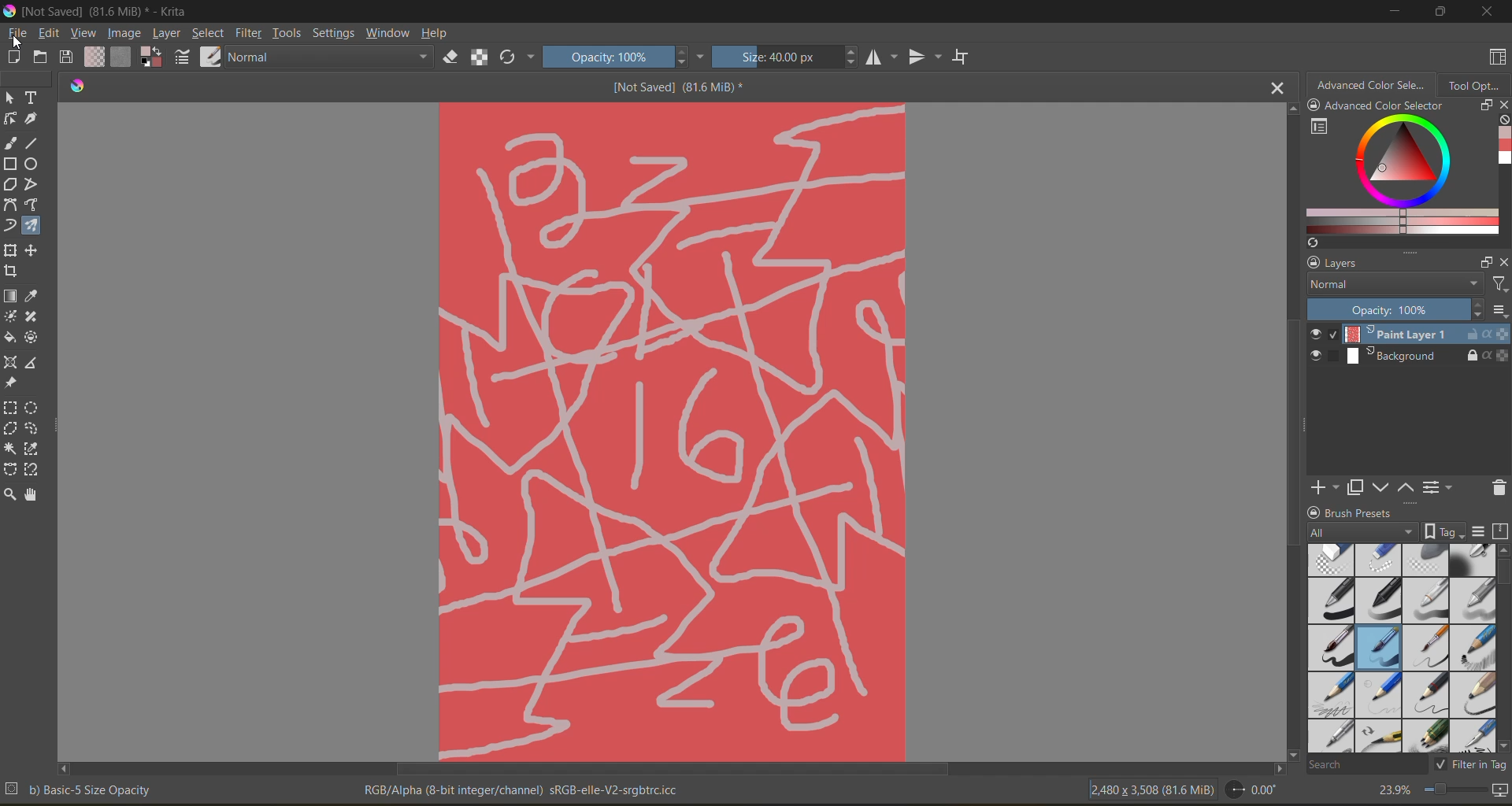 This screenshot has width=1512, height=806. Describe the element at coordinates (17, 42) in the screenshot. I see `cursor` at that location.